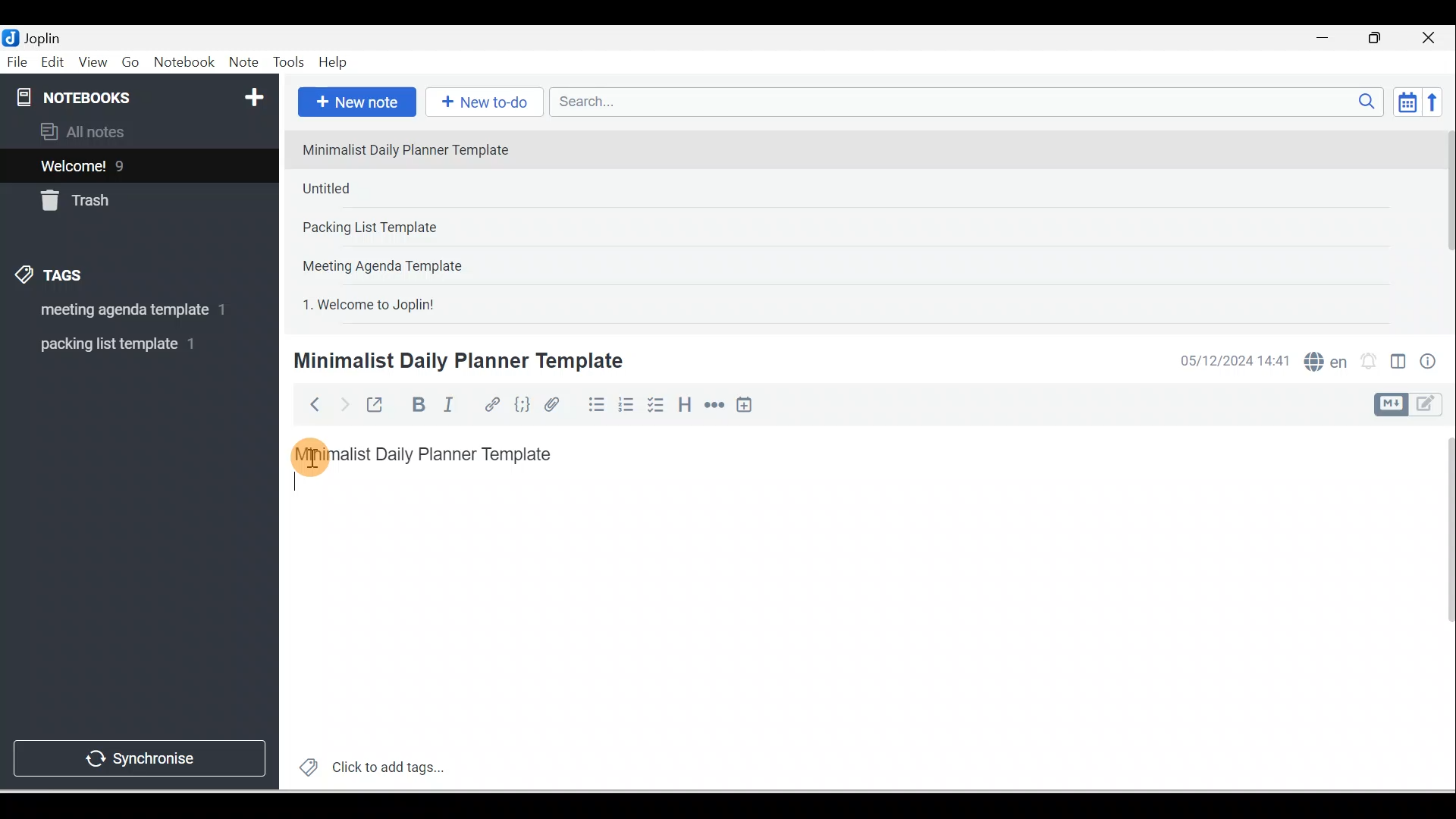 The image size is (1456, 819). What do you see at coordinates (1367, 362) in the screenshot?
I see `Set alarm` at bounding box center [1367, 362].